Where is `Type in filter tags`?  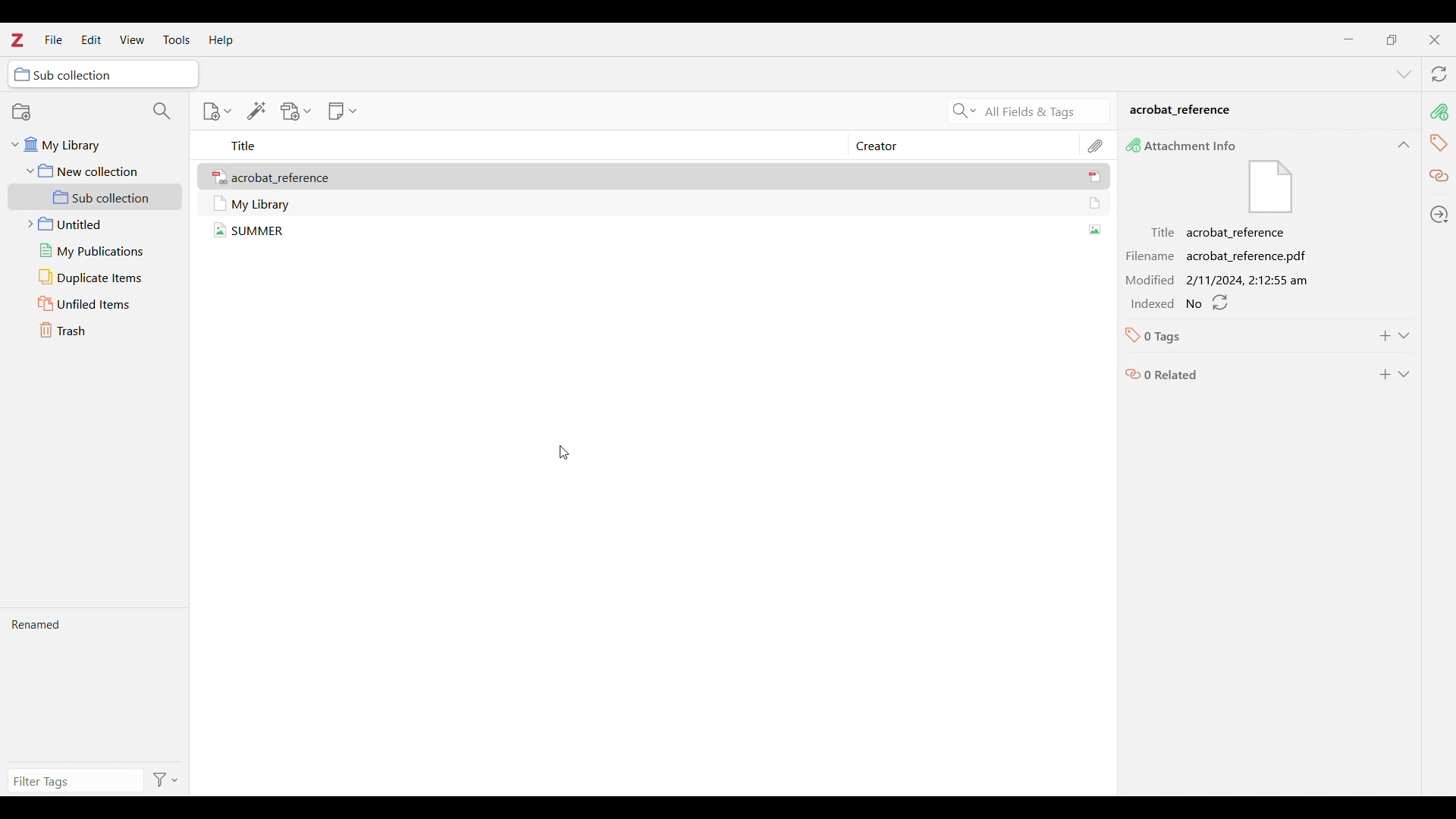
Type in filter tags is located at coordinates (75, 780).